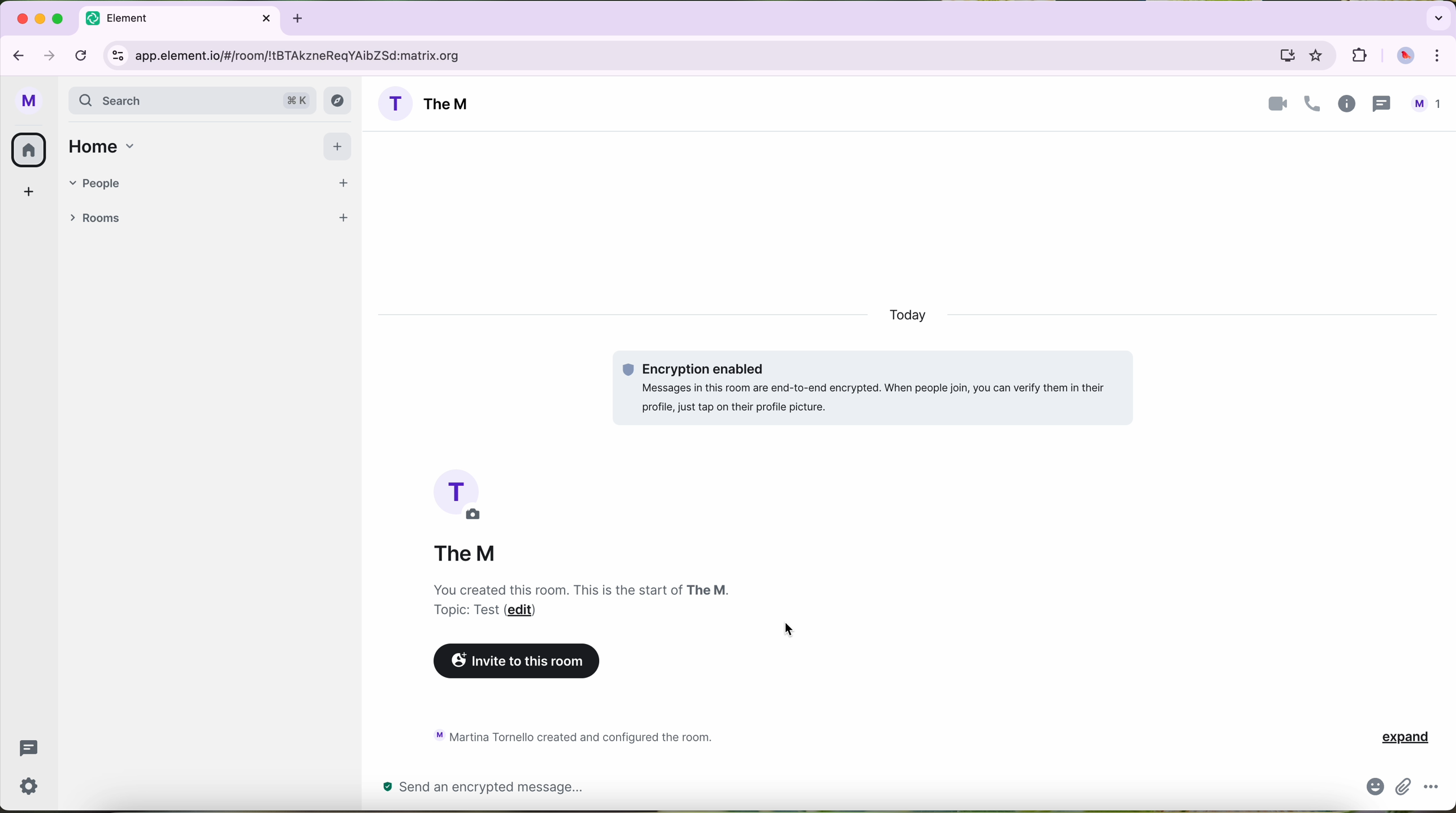  I want to click on search tabs, so click(1437, 17).